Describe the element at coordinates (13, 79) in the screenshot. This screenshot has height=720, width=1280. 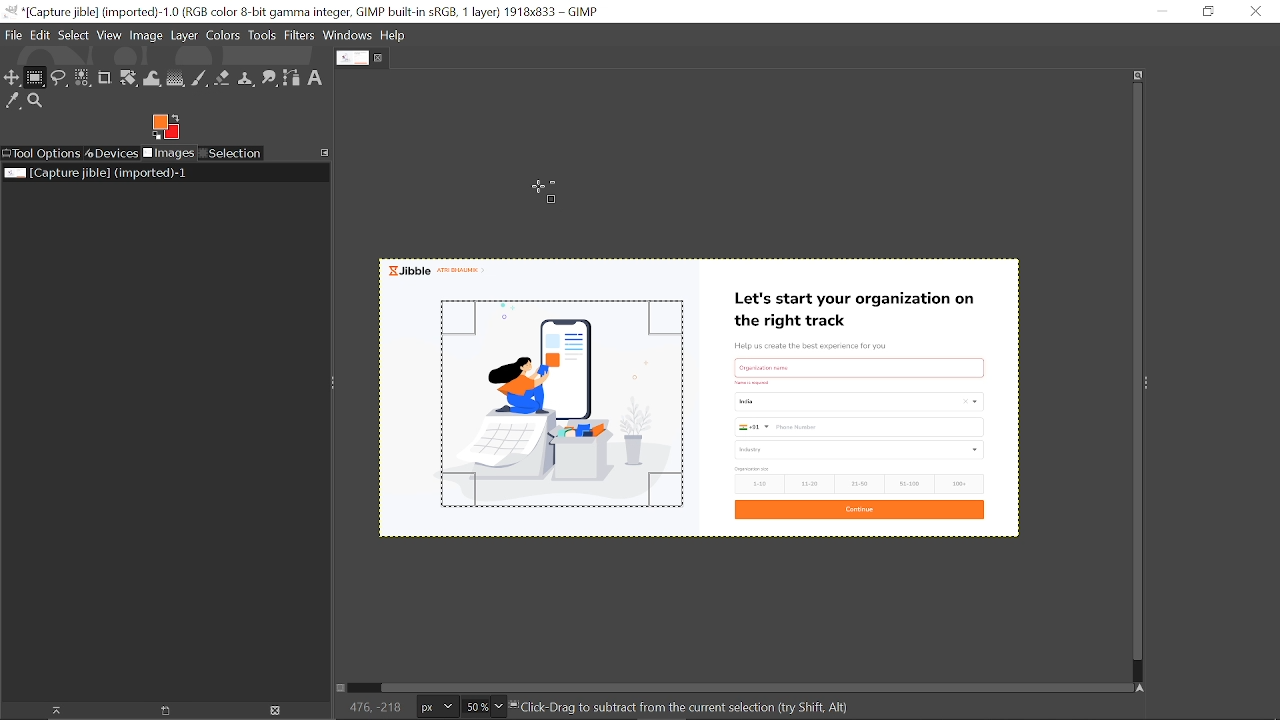
I see `Move tool` at that location.